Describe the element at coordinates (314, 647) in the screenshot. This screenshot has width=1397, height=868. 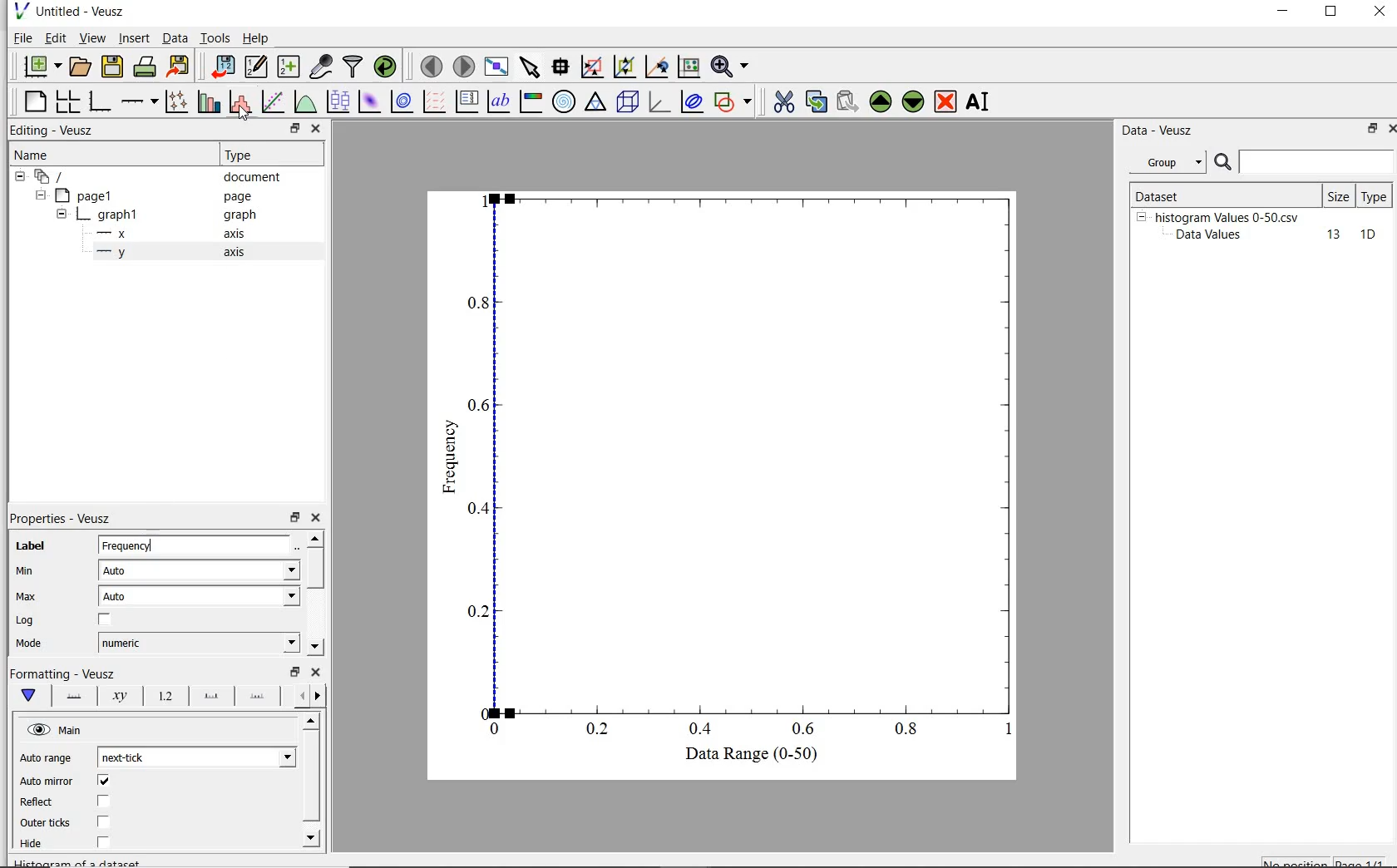
I see `move down` at that location.